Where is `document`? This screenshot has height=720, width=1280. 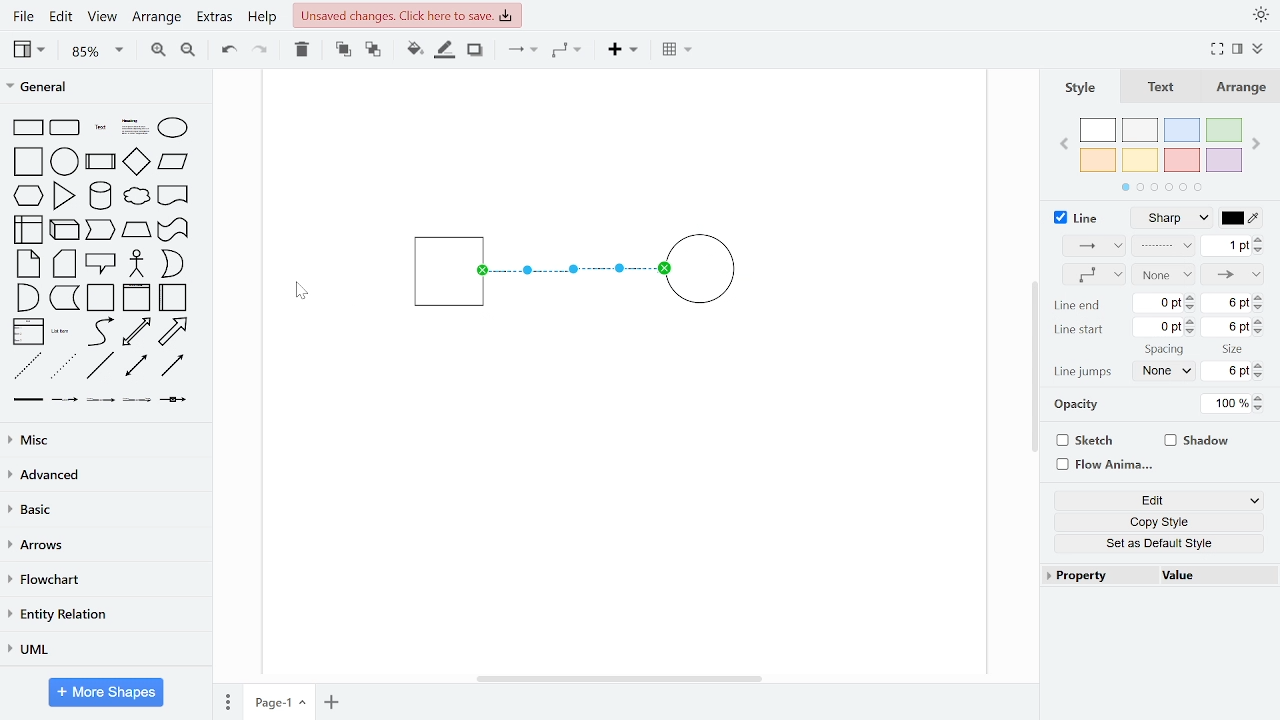 document is located at coordinates (174, 194).